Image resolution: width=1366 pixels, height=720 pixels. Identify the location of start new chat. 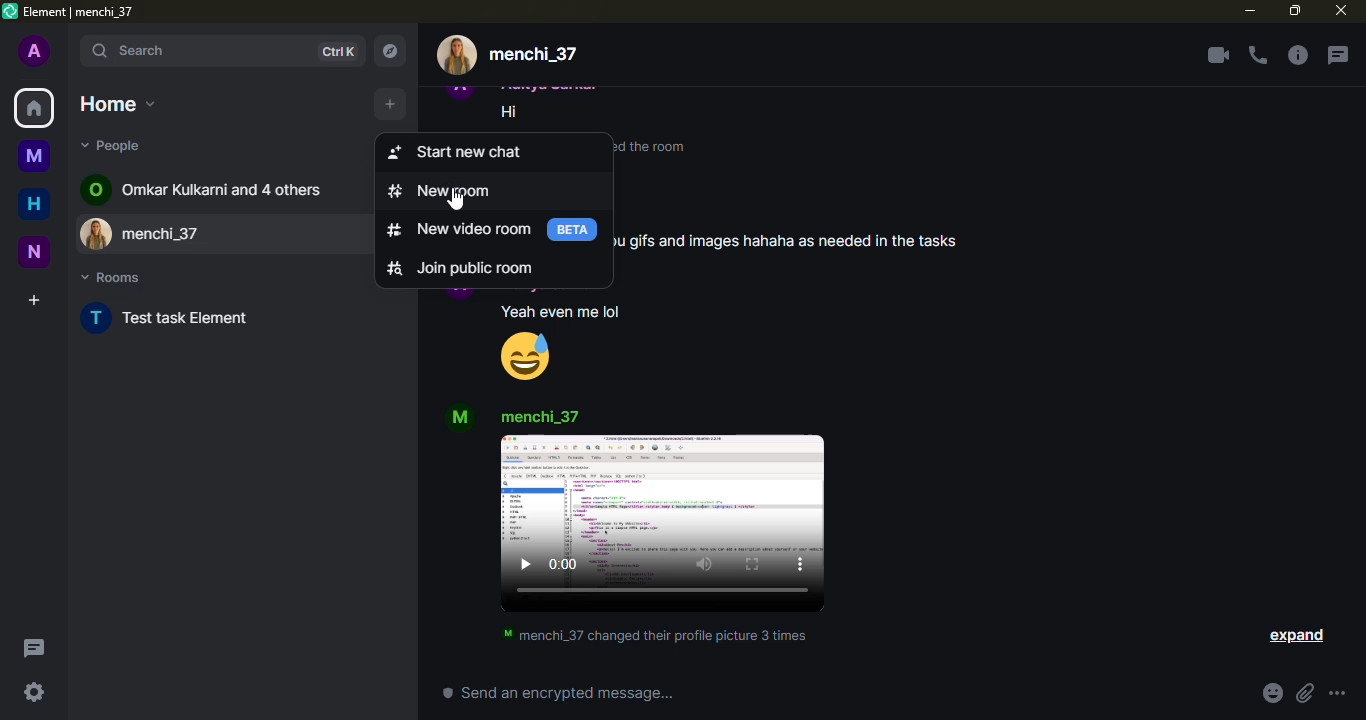
(493, 152).